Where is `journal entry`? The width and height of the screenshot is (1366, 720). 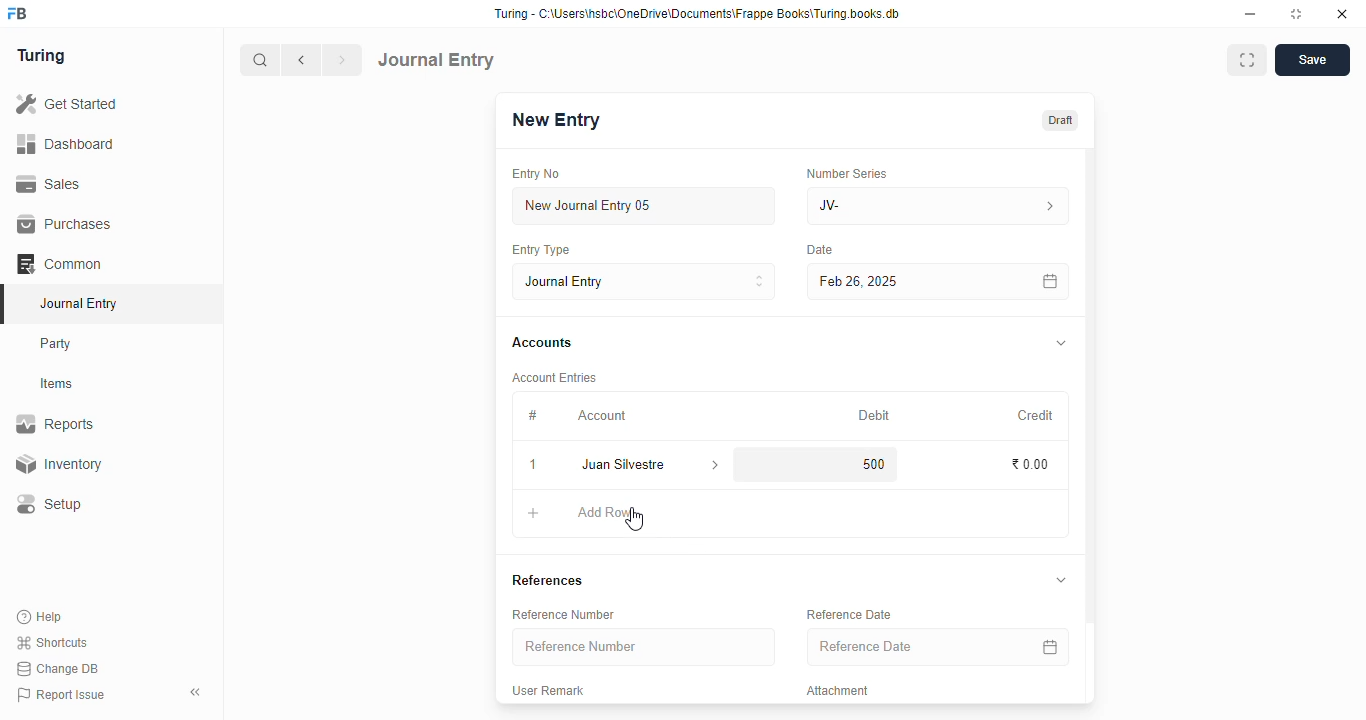
journal entry is located at coordinates (437, 59).